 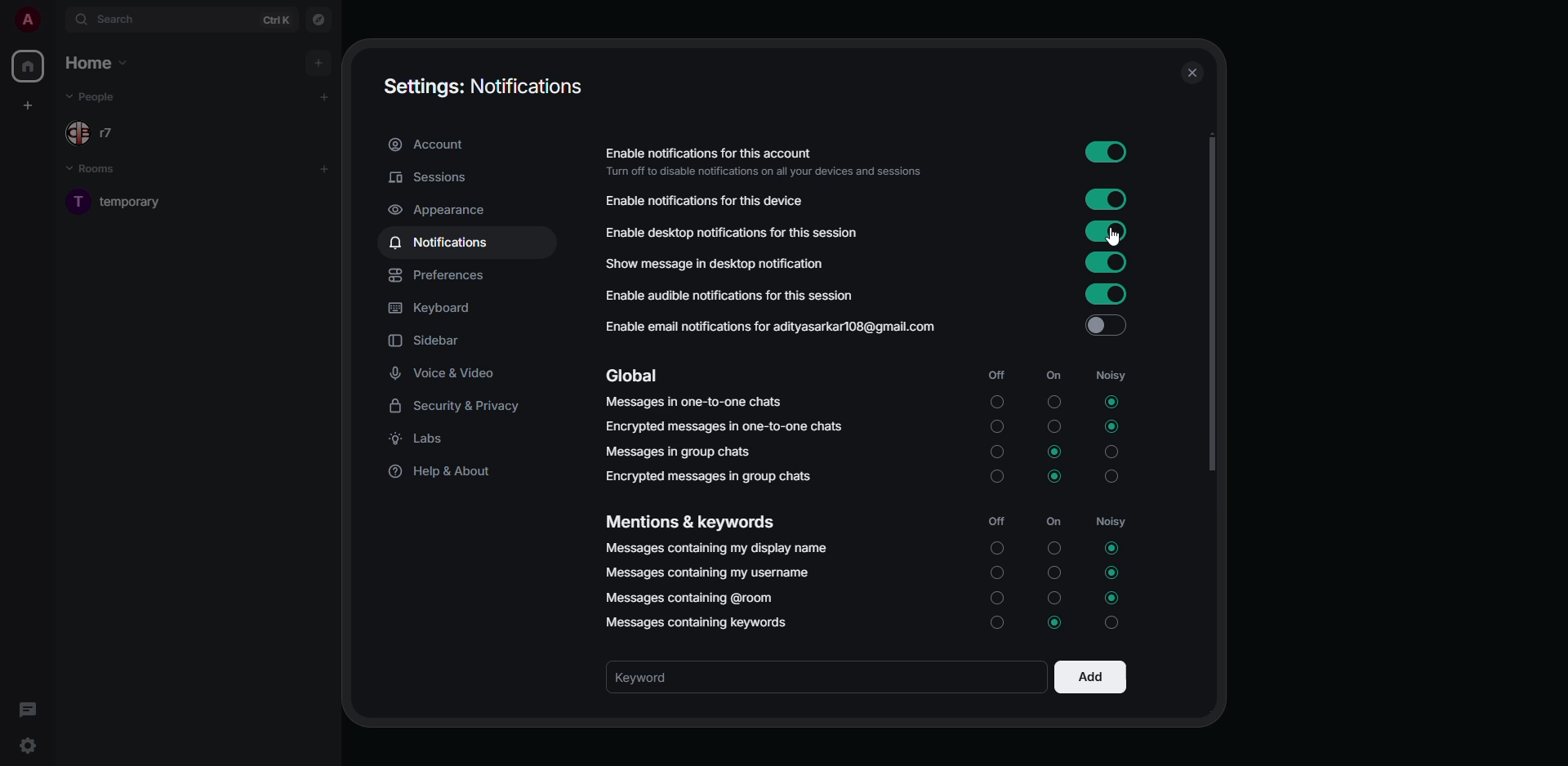 I want to click on ctrl K, so click(x=277, y=19).